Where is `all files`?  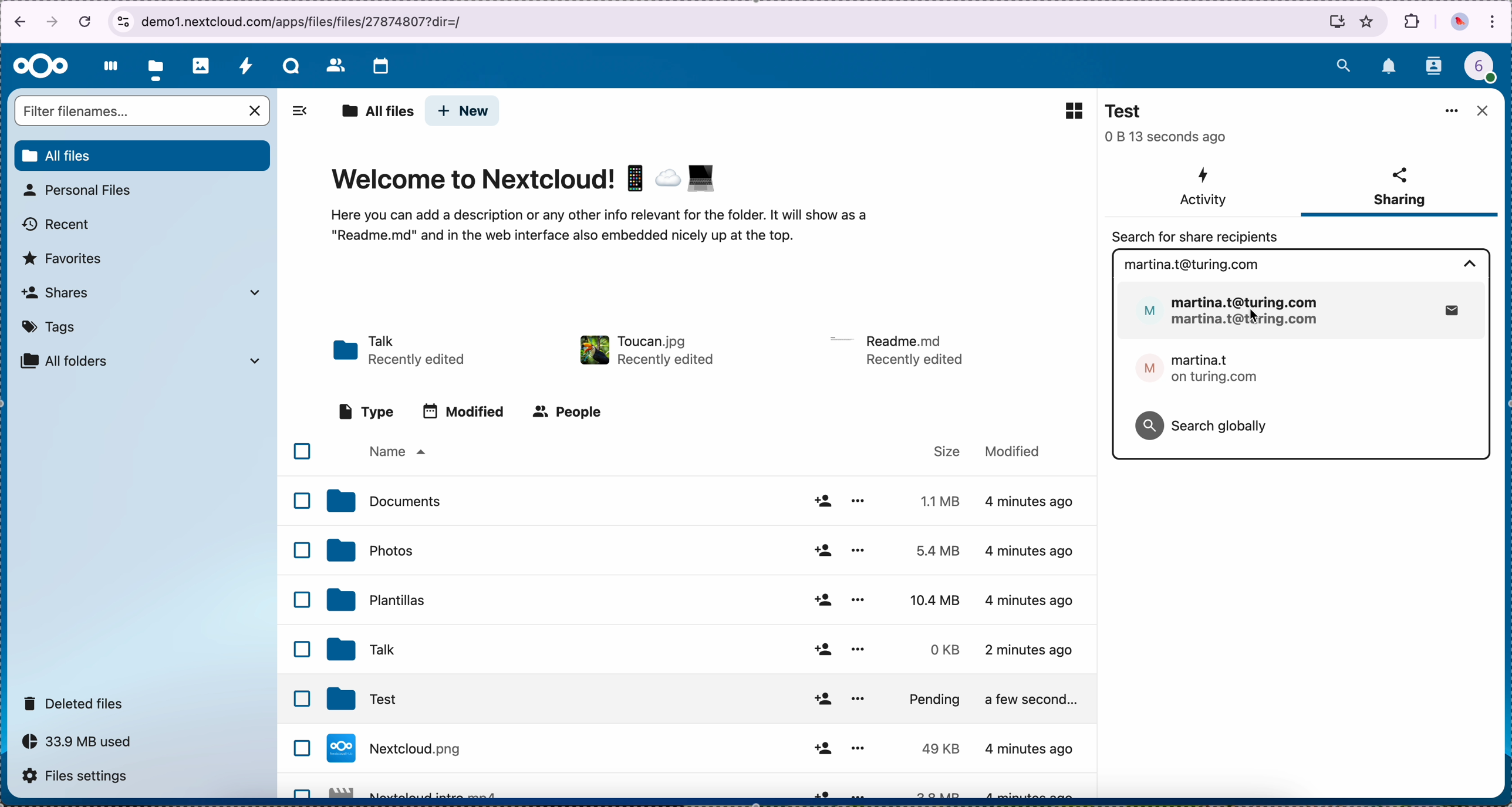
all files is located at coordinates (377, 112).